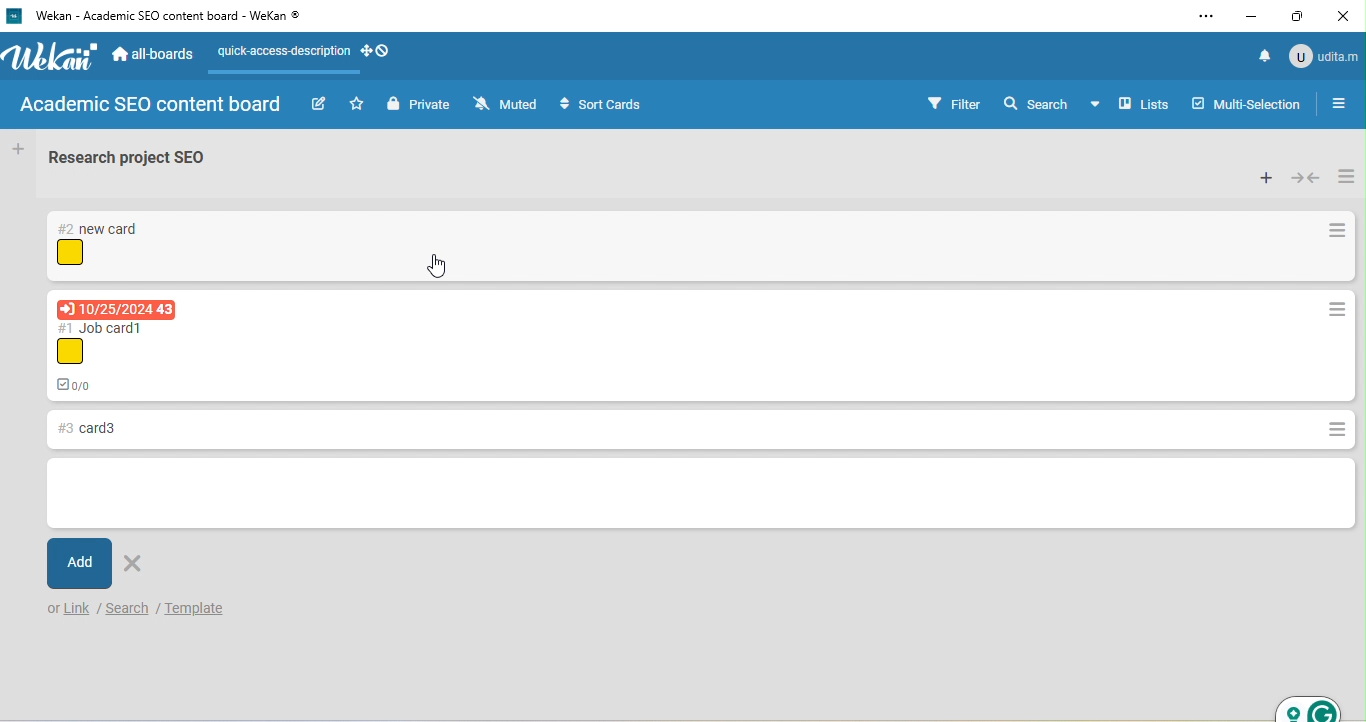 This screenshot has height=722, width=1366. Describe the element at coordinates (213, 606) in the screenshot. I see `template` at that location.